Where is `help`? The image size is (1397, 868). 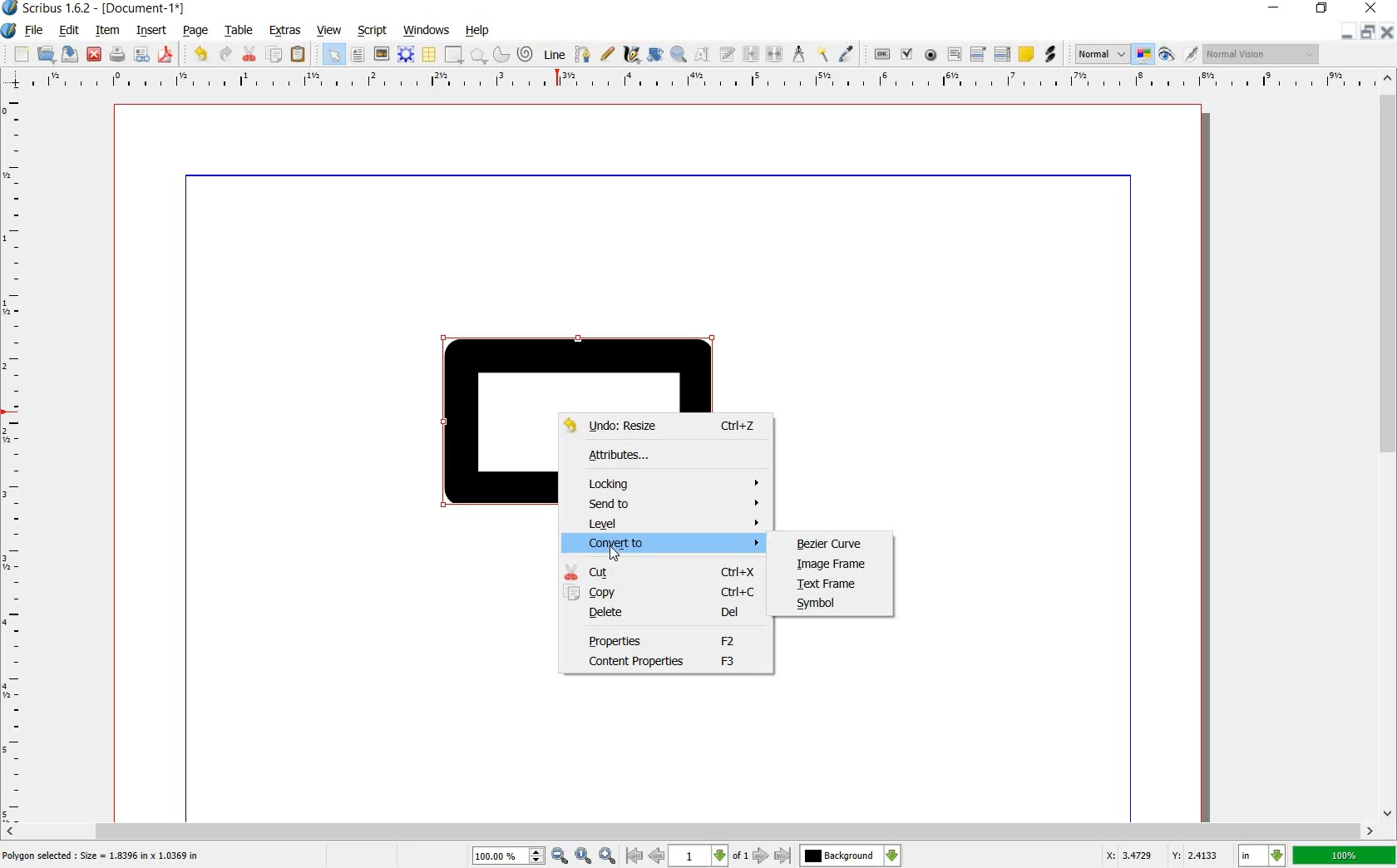
help is located at coordinates (478, 32).